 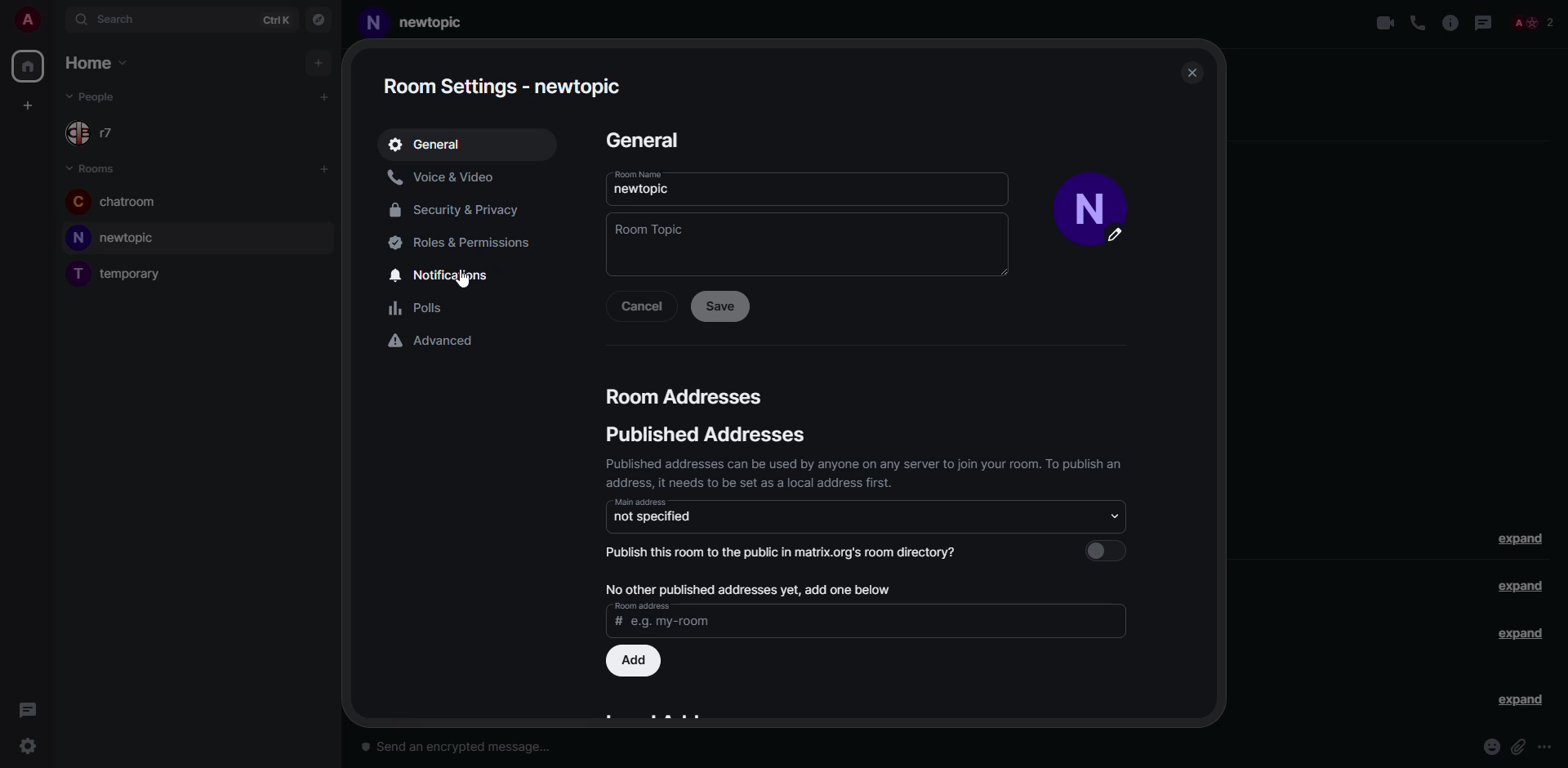 What do you see at coordinates (322, 168) in the screenshot?
I see `add` at bounding box center [322, 168].